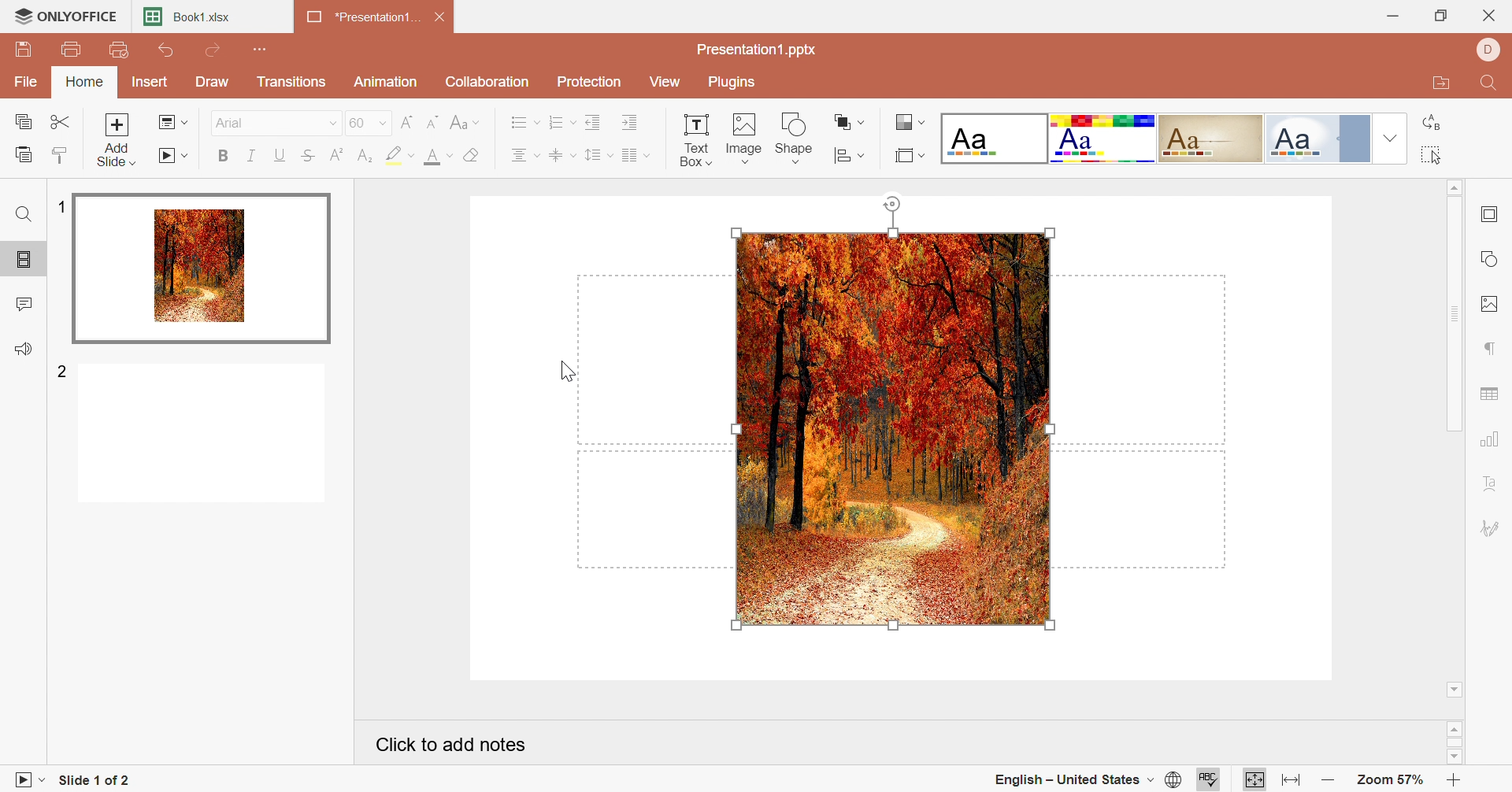  Describe the element at coordinates (90, 781) in the screenshot. I see `Slide 1 of 2` at that location.